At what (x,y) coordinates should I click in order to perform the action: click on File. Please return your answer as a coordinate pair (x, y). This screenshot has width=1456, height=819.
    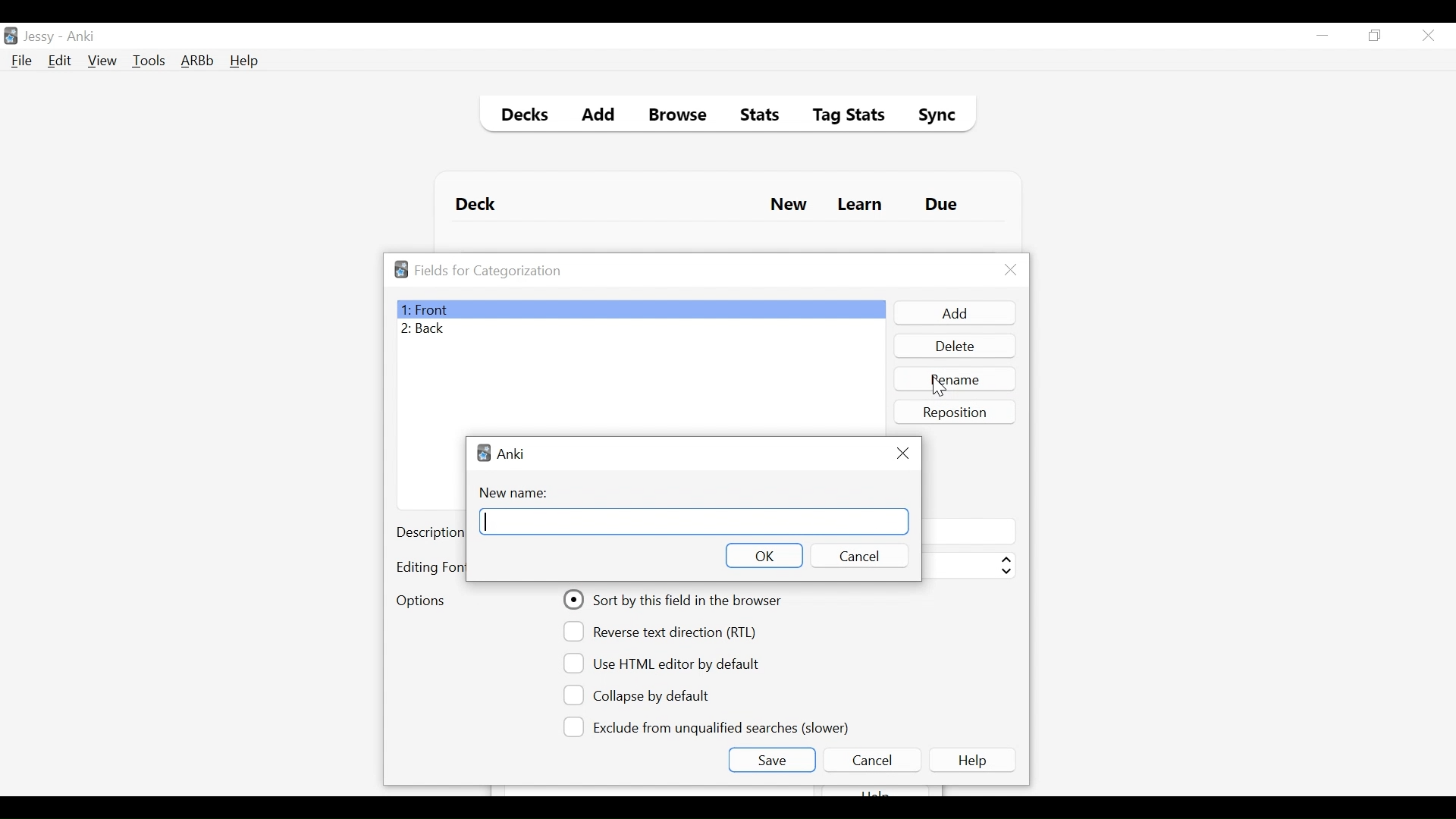
    Looking at the image, I should click on (22, 62).